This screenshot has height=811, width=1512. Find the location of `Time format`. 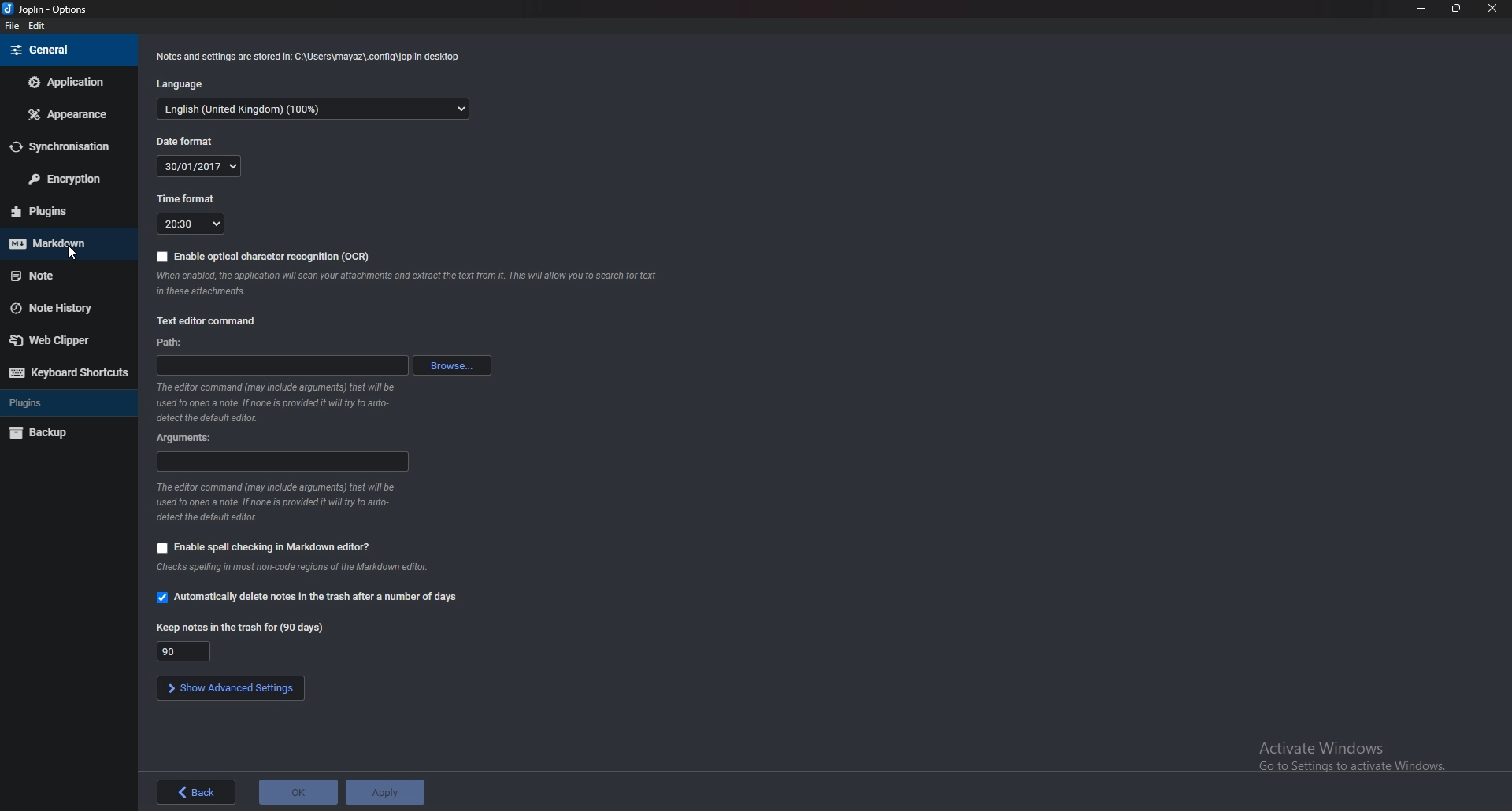

Time format is located at coordinates (191, 223).